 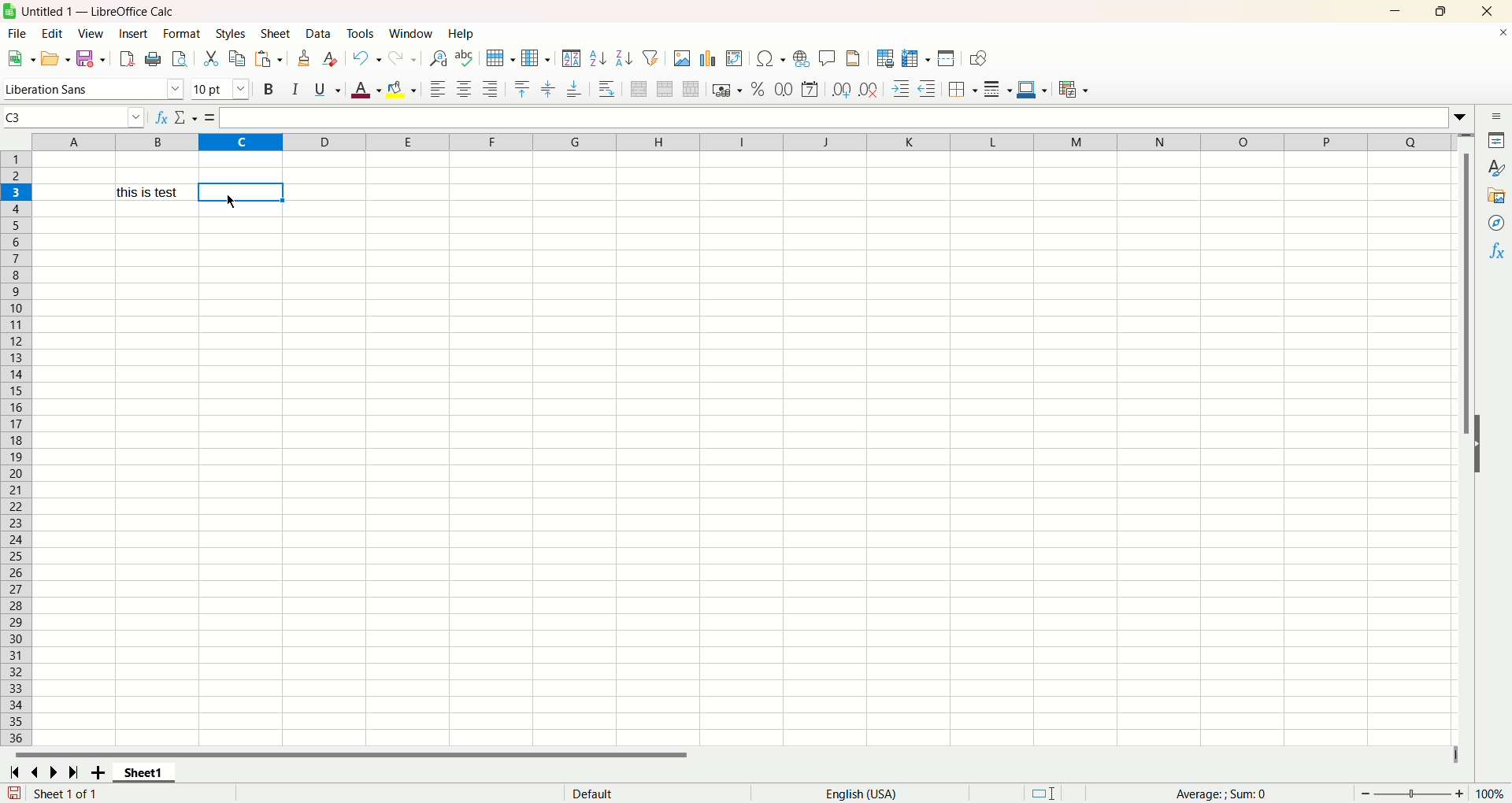 What do you see at coordinates (1497, 222) in the screenshot?
I see `navigator` at bounding box center [1497, 222].